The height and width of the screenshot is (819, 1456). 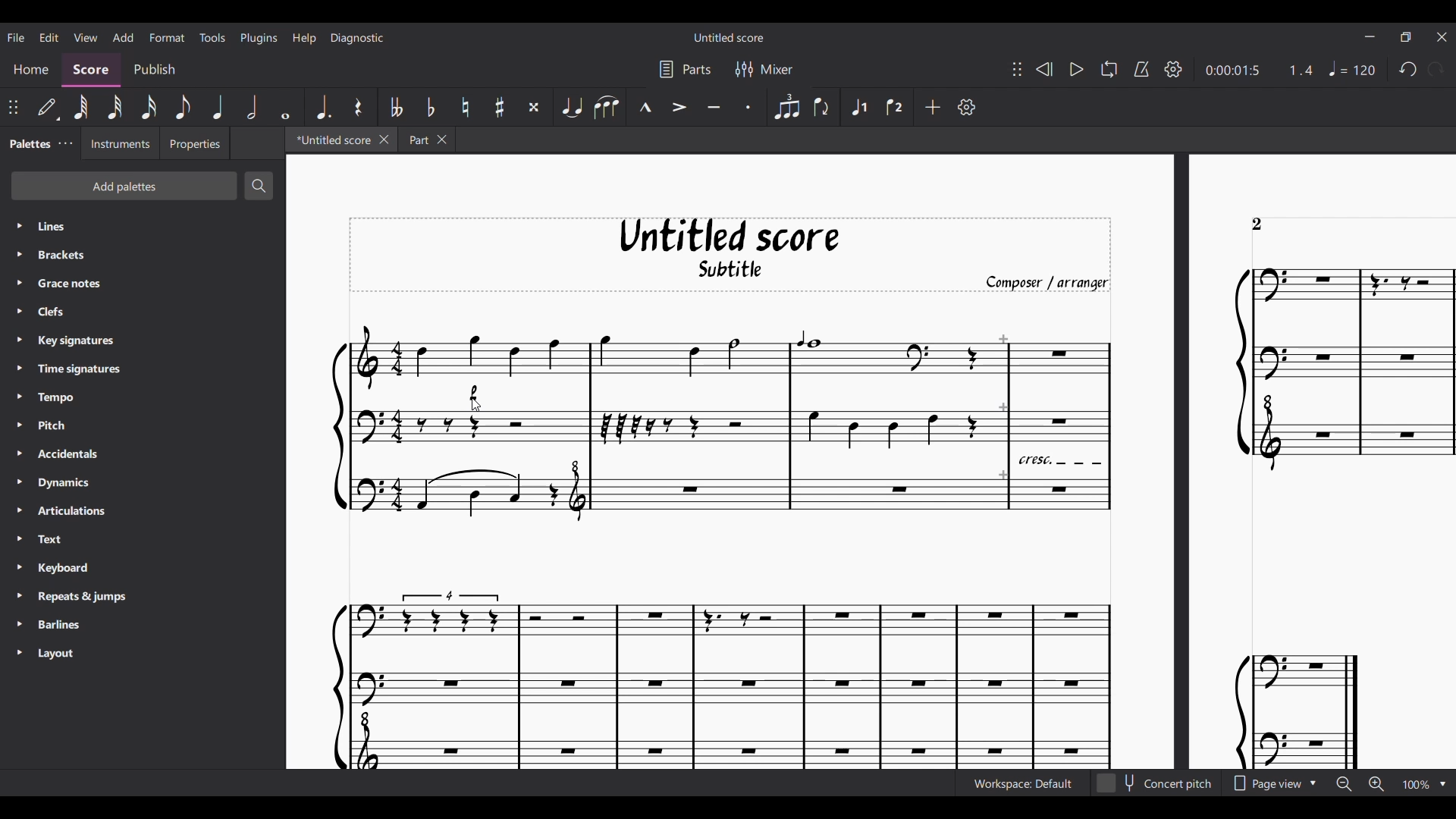 What do you see at coordinates (322, 106) in the screenshot?
I see `Augmentation dot` at bounding box center [322, 106].